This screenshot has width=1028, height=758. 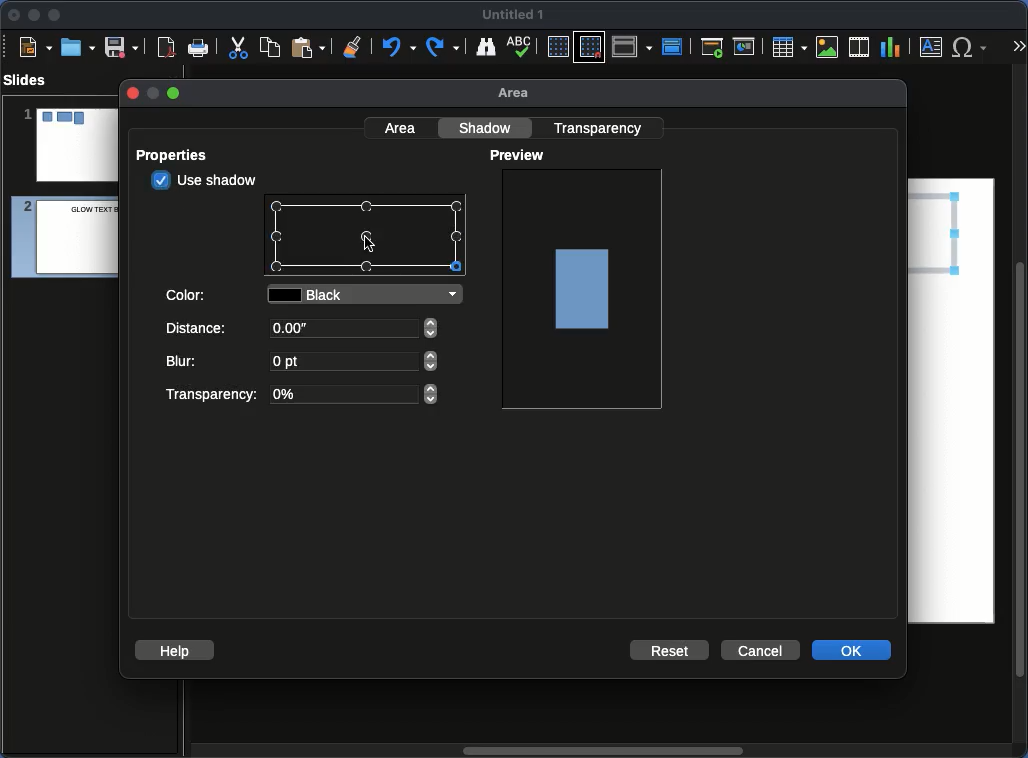 I want to click on Image, so click(x=828, y=47).